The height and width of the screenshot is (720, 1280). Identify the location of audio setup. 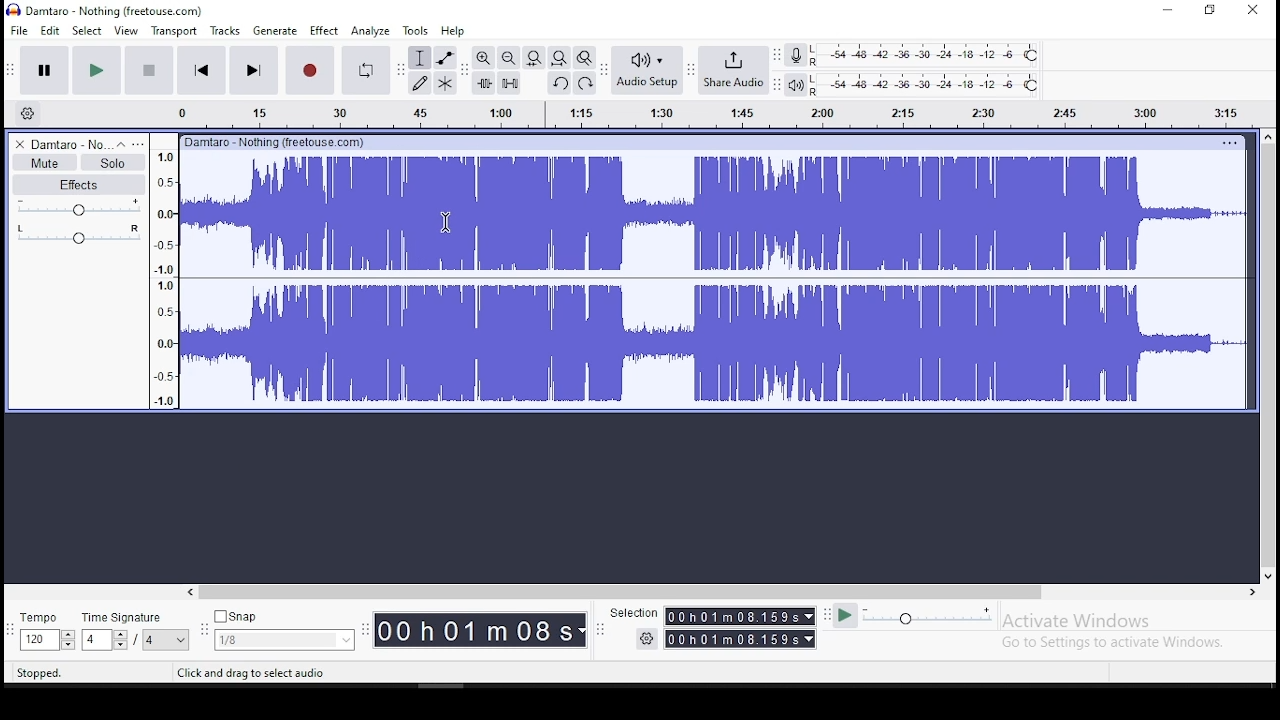
(647, 69).